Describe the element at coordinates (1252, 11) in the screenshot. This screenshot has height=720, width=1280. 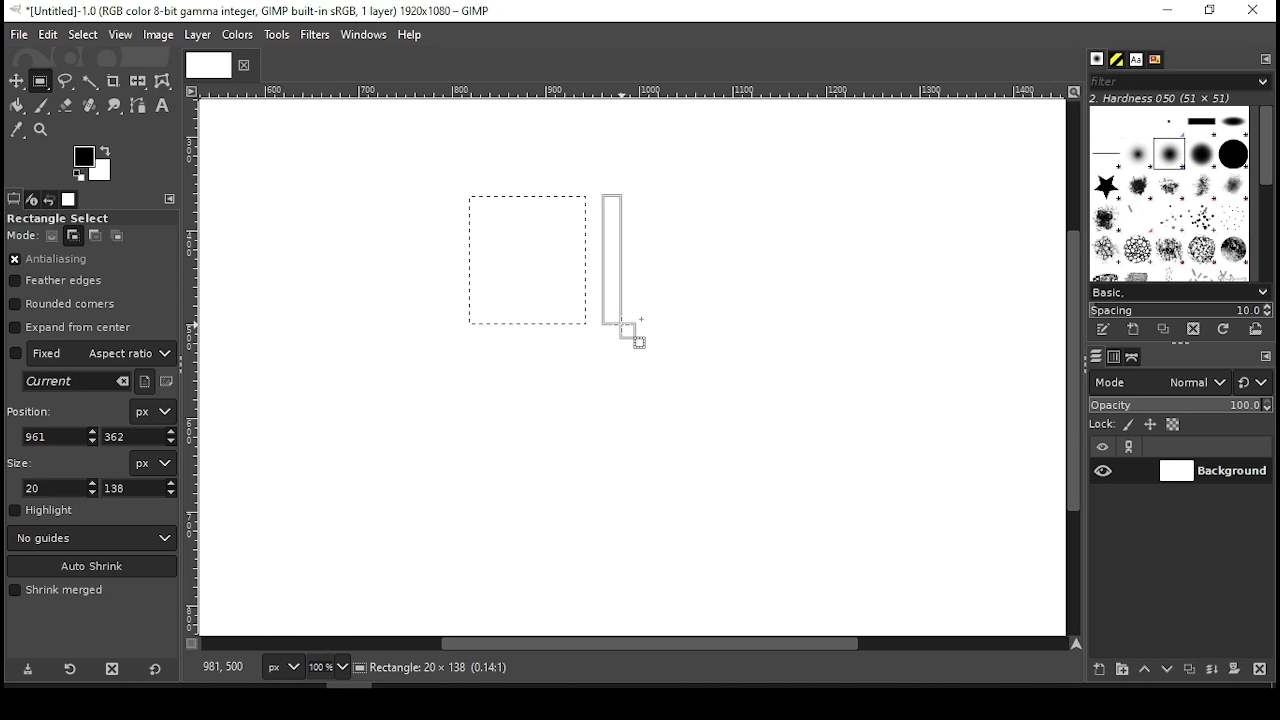
I see `close window` at that location.